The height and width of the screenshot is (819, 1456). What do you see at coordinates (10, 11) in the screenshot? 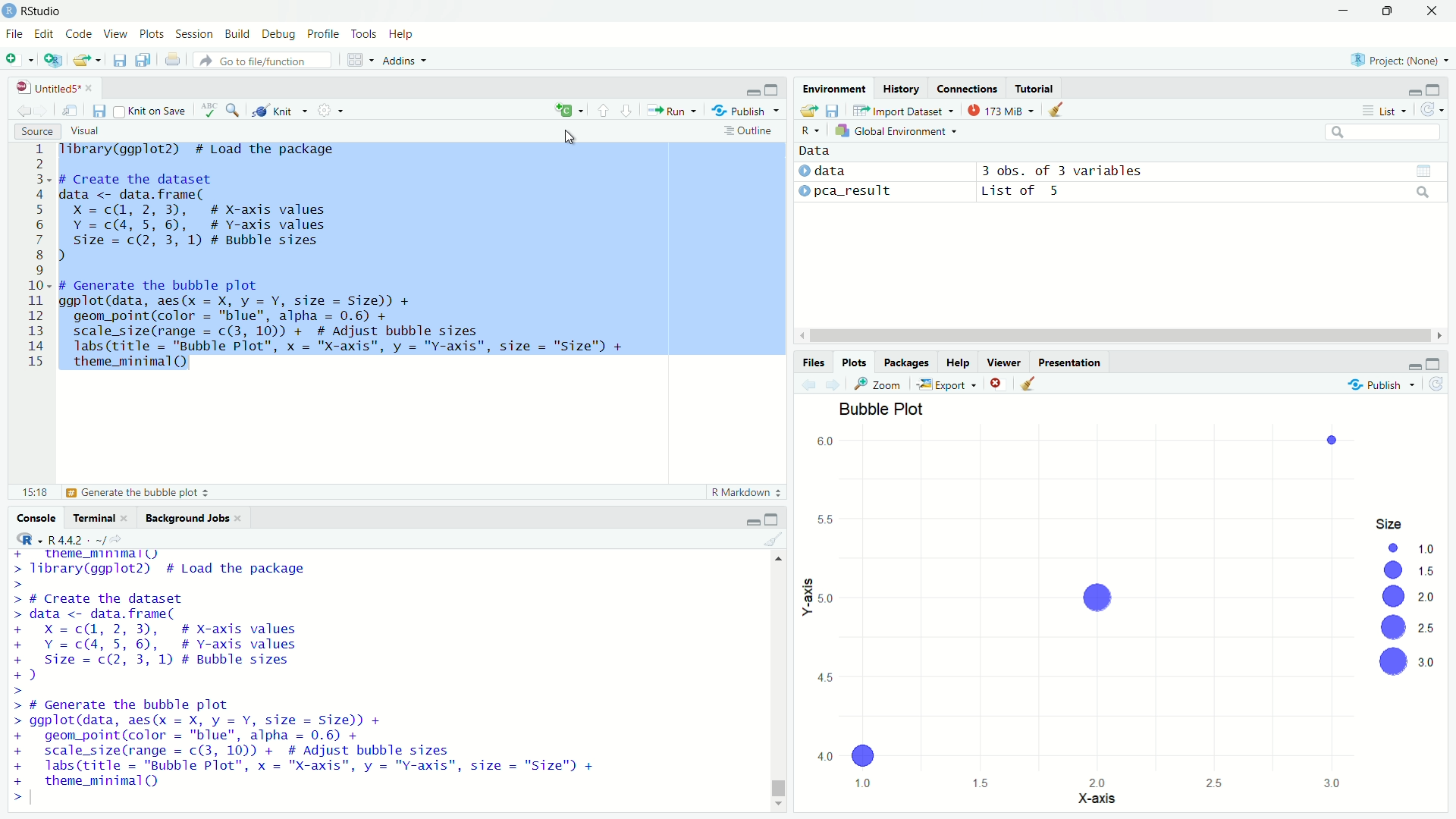
I see `logo` at bounding box center [10, 11].